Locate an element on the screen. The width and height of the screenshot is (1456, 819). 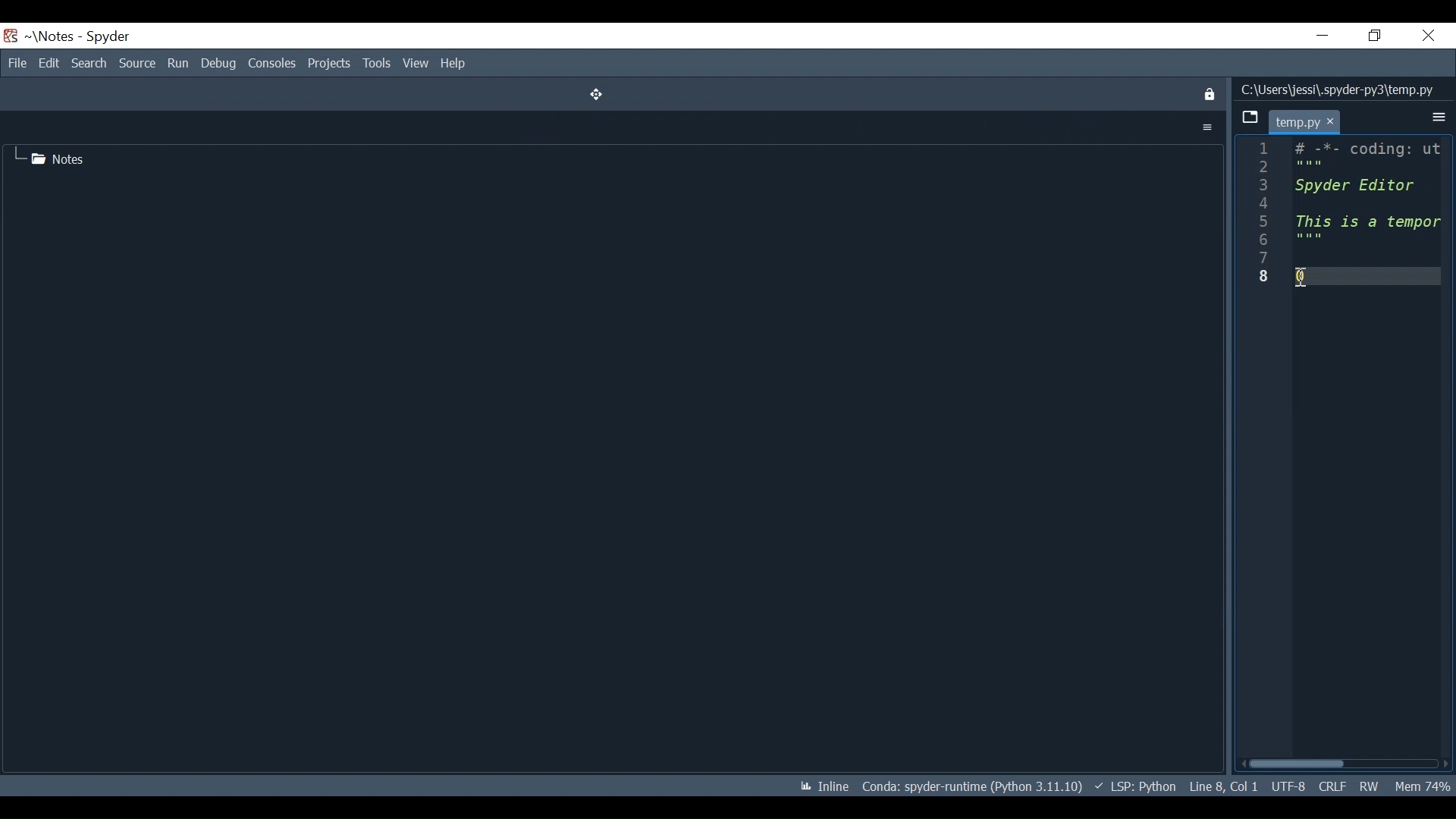
Browse tab is located at coordinates (1249, 118).